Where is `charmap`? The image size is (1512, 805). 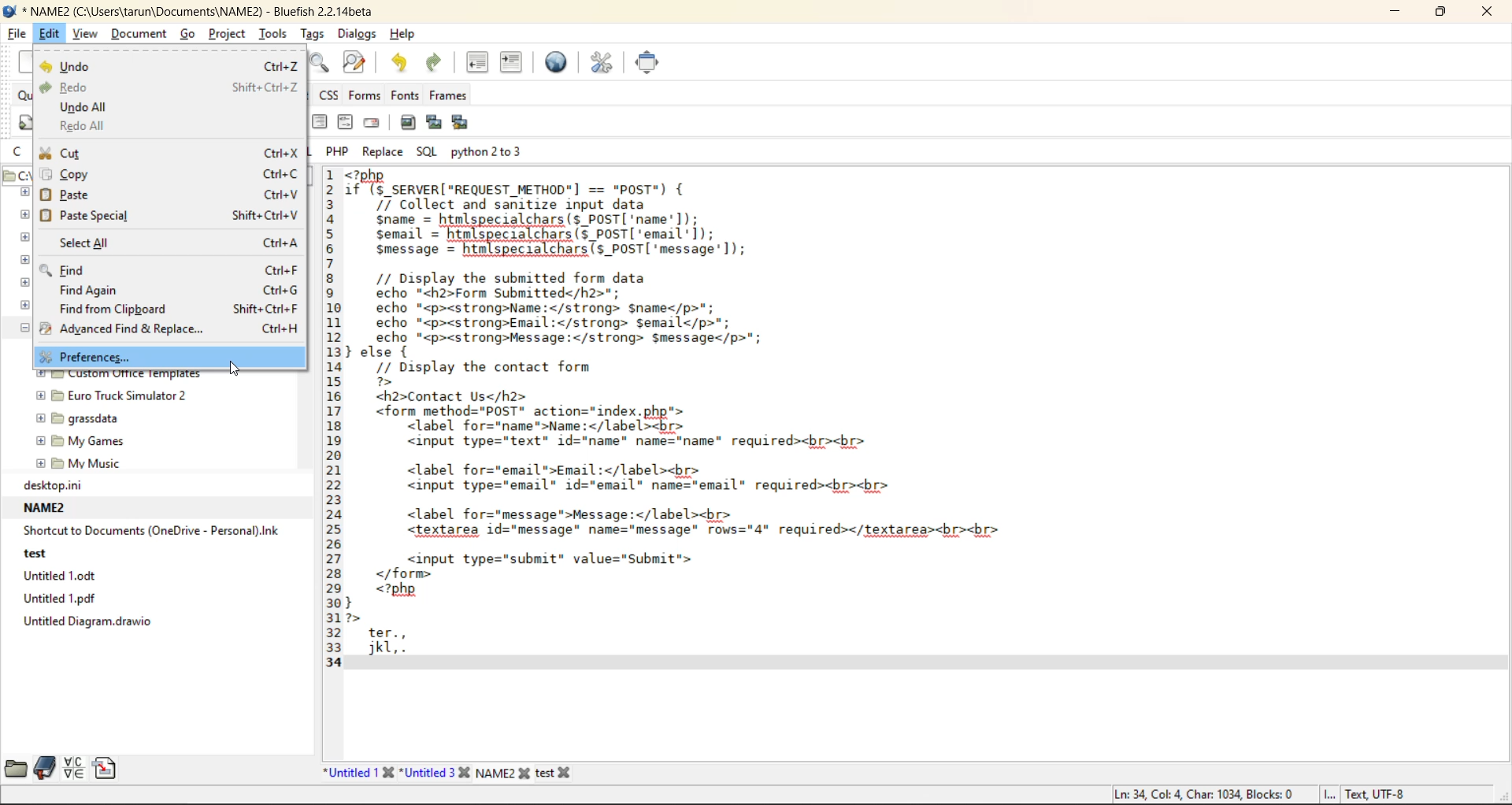 charmap is located at coordinates (78, 770).